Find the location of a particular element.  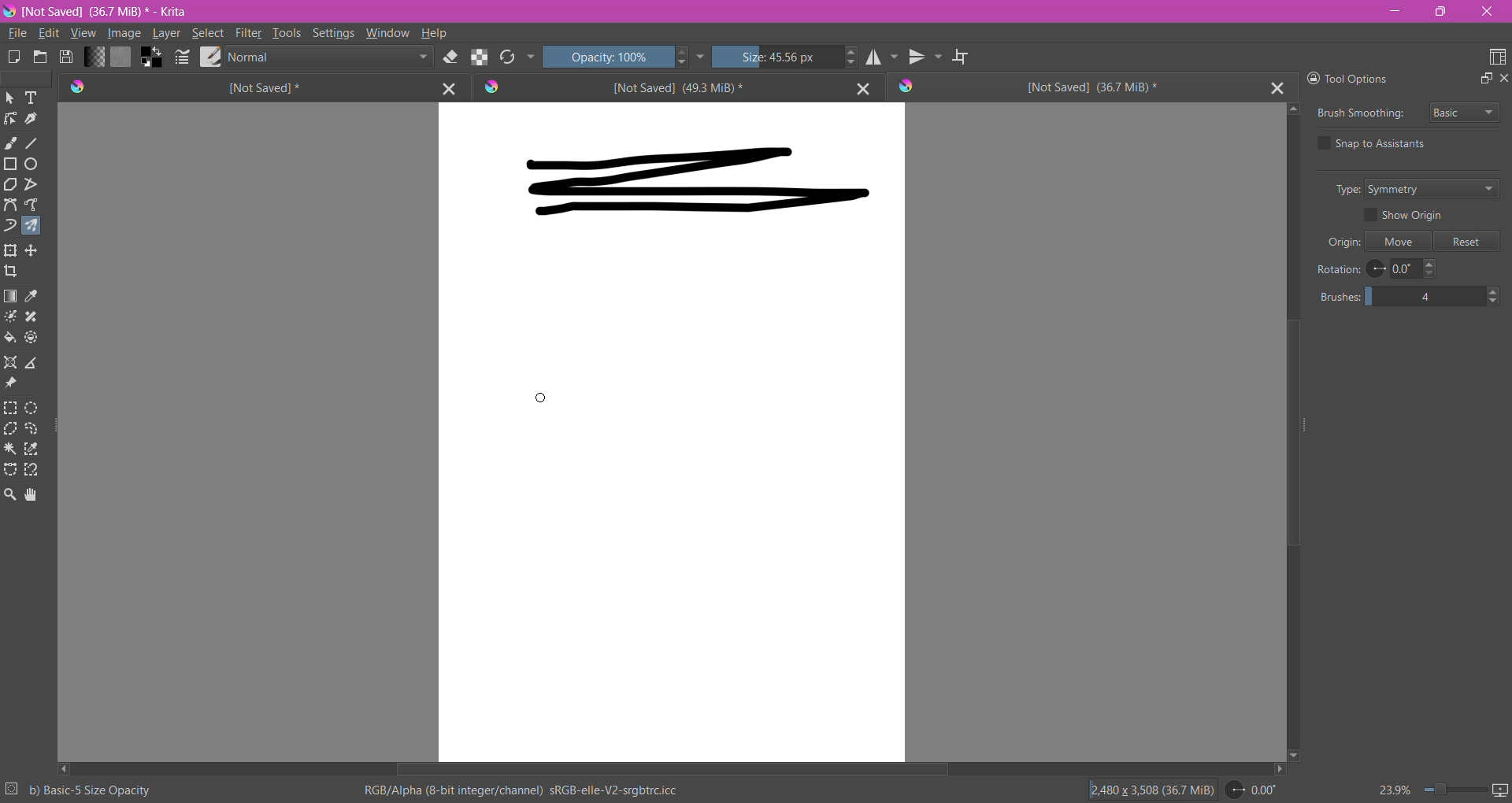

Transform a layer is located at coordinates (35, 250).